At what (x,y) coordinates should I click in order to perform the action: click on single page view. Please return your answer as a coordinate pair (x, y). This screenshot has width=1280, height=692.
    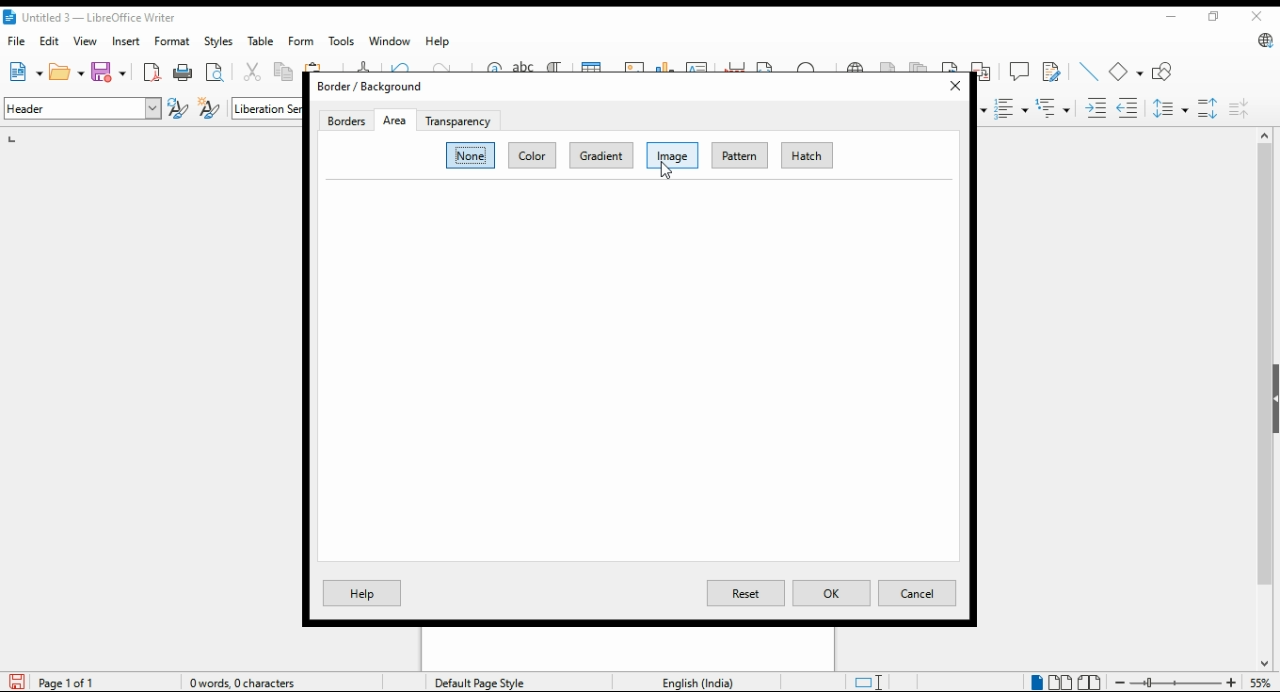
    Looking at the image, I should click on (1036, 681).